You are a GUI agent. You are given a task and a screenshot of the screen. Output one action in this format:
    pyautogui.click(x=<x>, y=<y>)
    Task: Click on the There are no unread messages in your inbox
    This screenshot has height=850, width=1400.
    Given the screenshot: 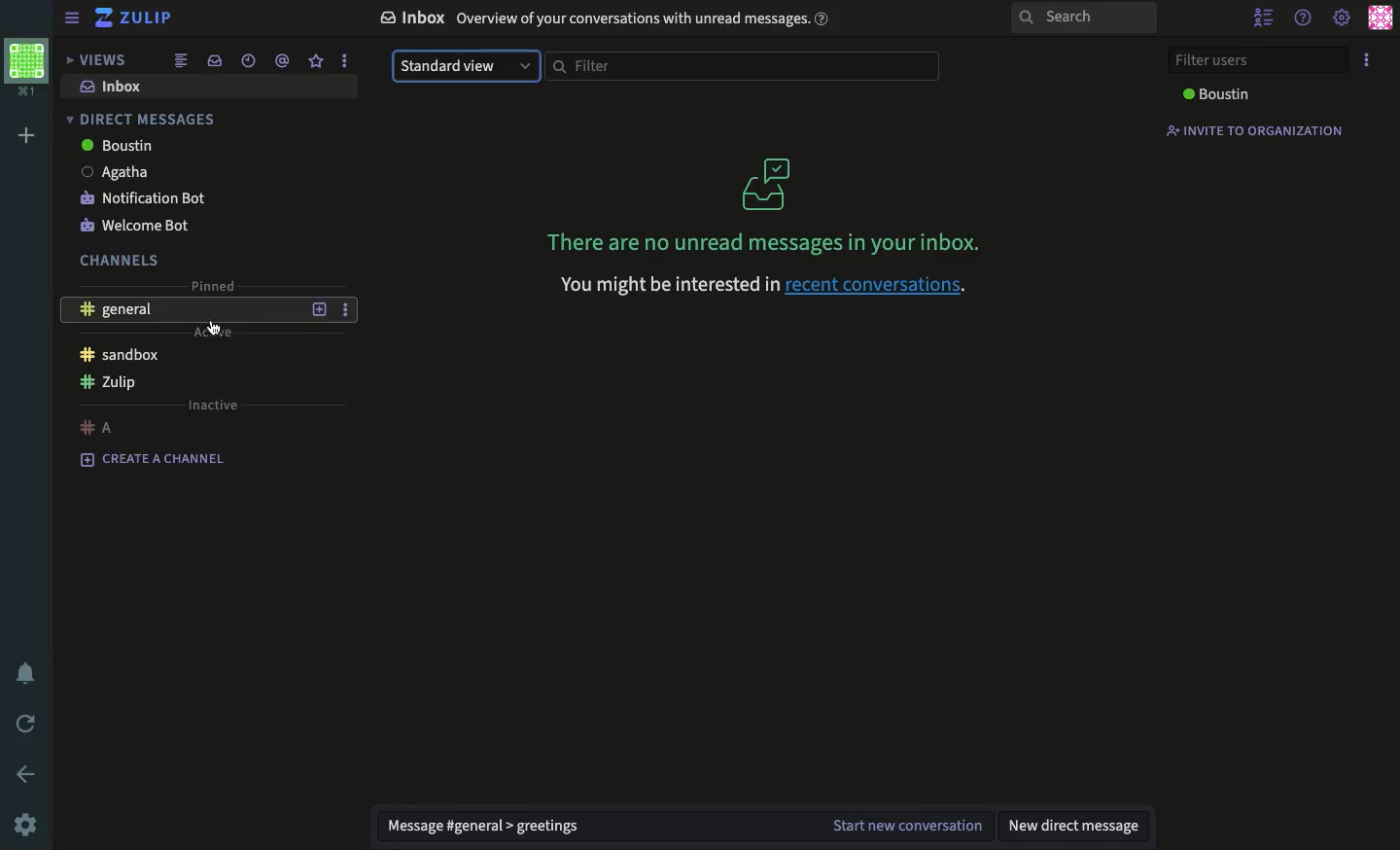 What is the action you would take?
    pyautogui.click(x=763, y=206)
    